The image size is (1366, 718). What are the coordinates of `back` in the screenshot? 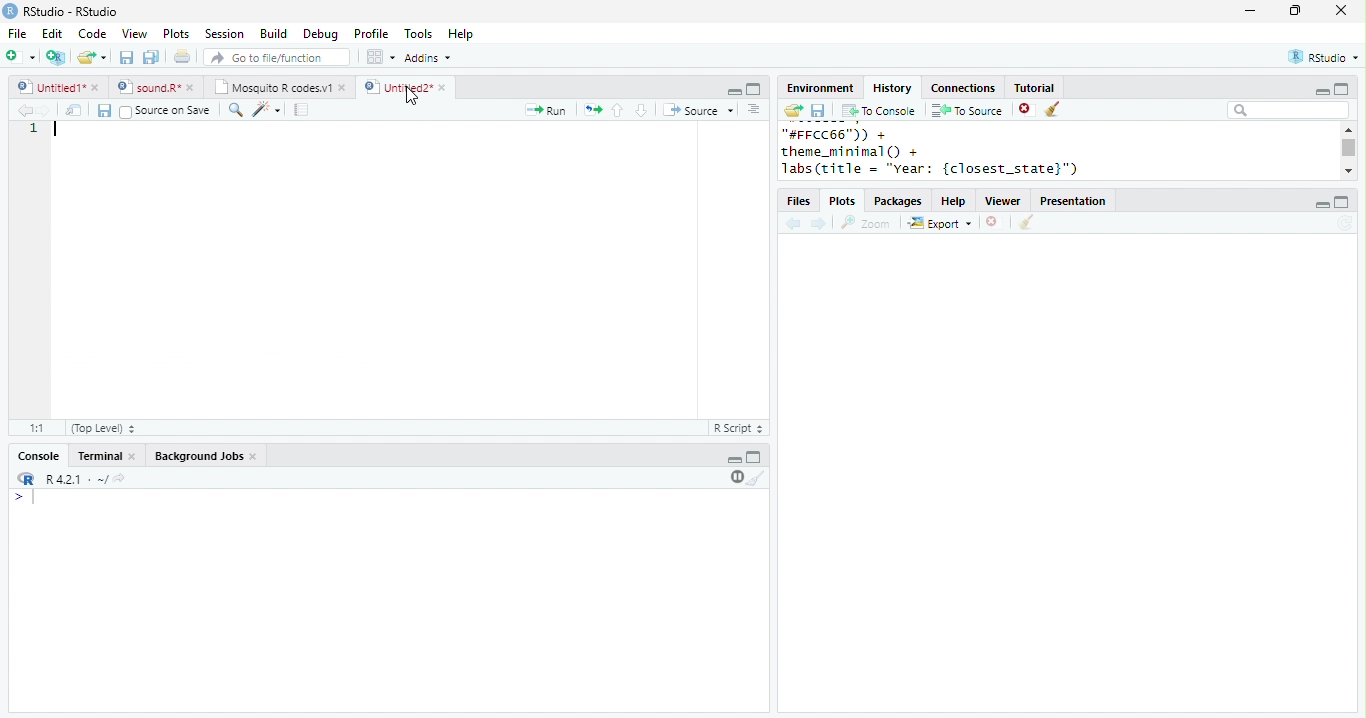 It's located at (793, 225).